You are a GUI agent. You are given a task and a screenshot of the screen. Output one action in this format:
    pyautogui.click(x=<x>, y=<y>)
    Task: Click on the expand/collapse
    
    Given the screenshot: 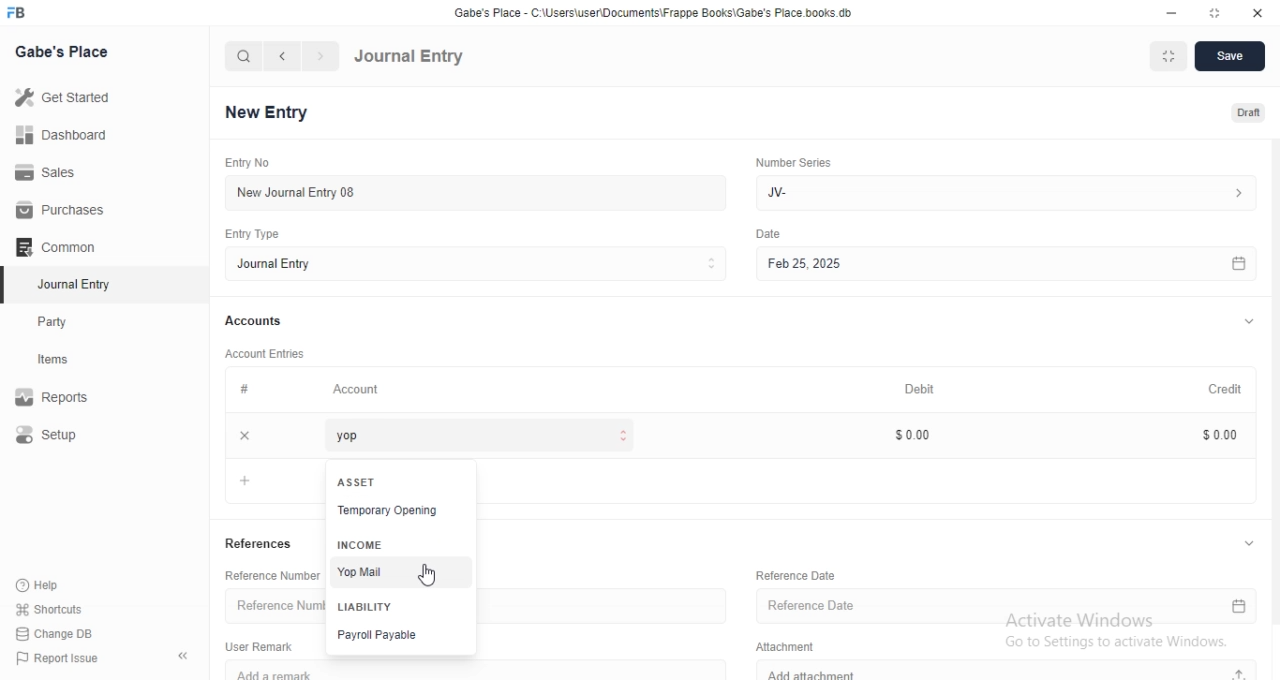 What is the action you would take?
    pyautogui.click(x=1248, y=543)
    